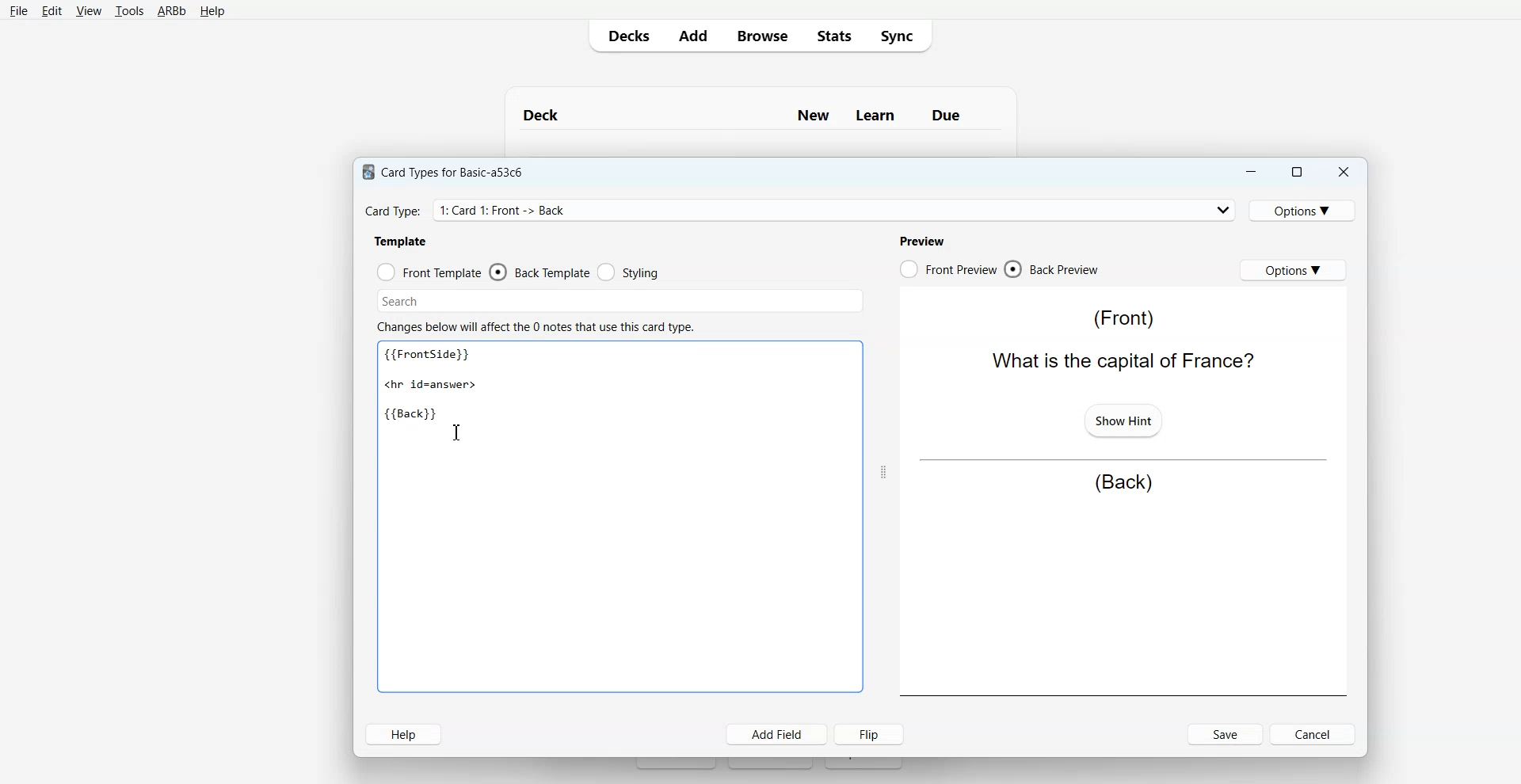 Image resolution: width=1521 pixels, height=784 pixels. I want to click on Front Preview, so click(947, 269).